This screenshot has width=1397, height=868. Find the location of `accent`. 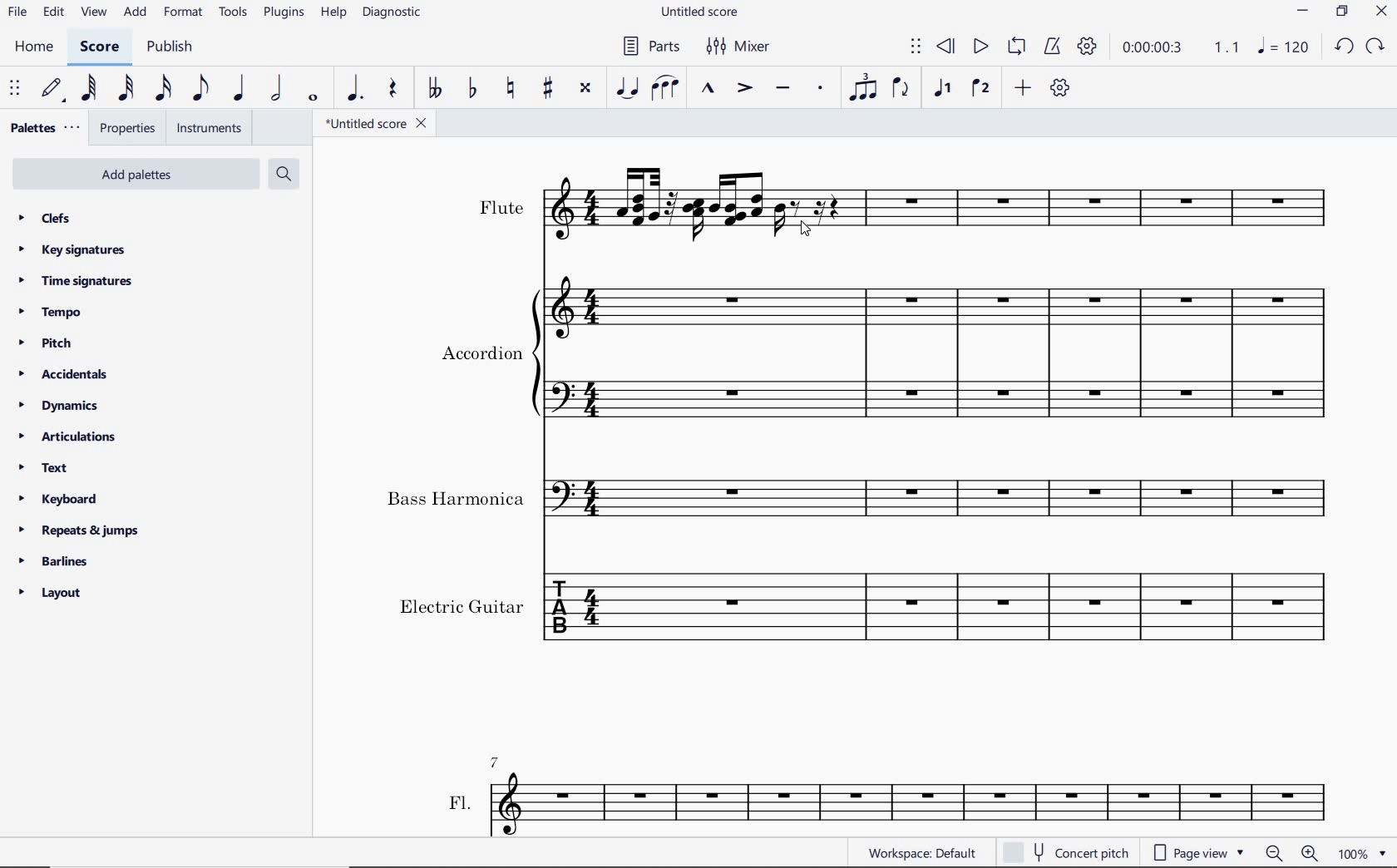

accent is located at coordinates (745, 89).